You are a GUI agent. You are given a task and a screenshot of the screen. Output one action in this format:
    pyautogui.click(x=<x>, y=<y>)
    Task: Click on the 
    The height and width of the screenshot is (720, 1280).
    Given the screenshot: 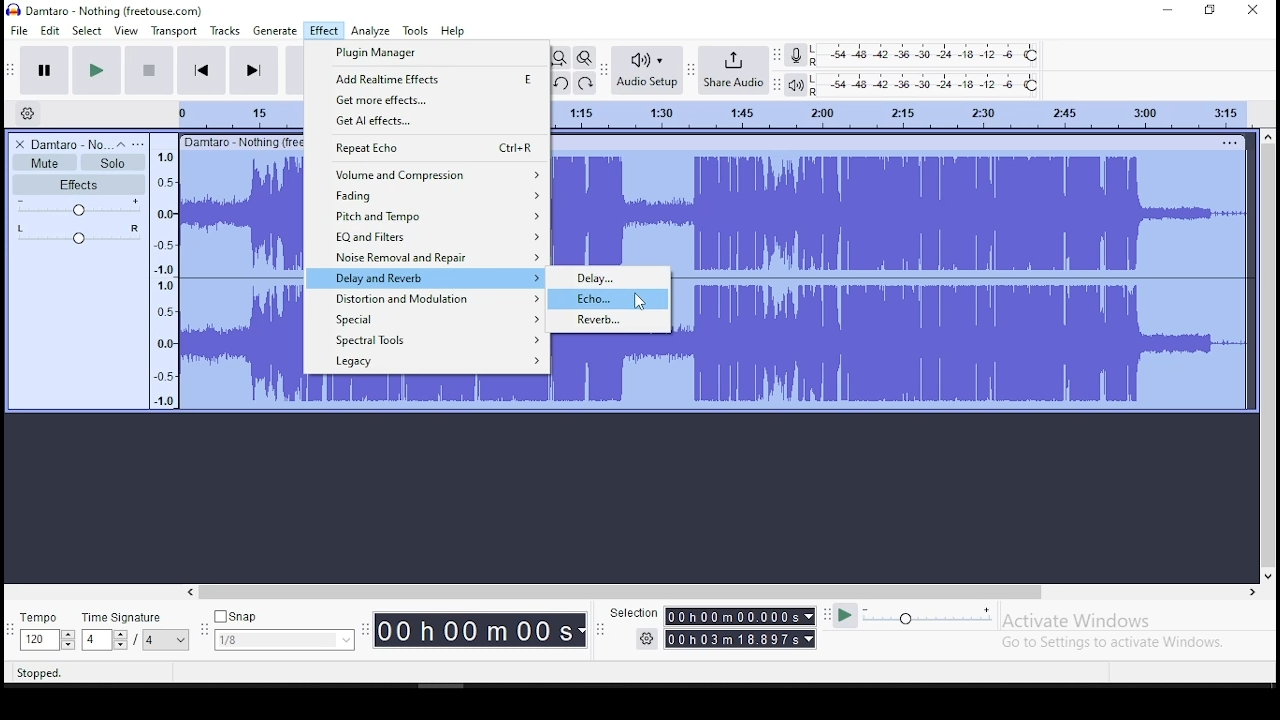 What is the action you would take?
    pyautogui.click(x=1231, y=140)
    